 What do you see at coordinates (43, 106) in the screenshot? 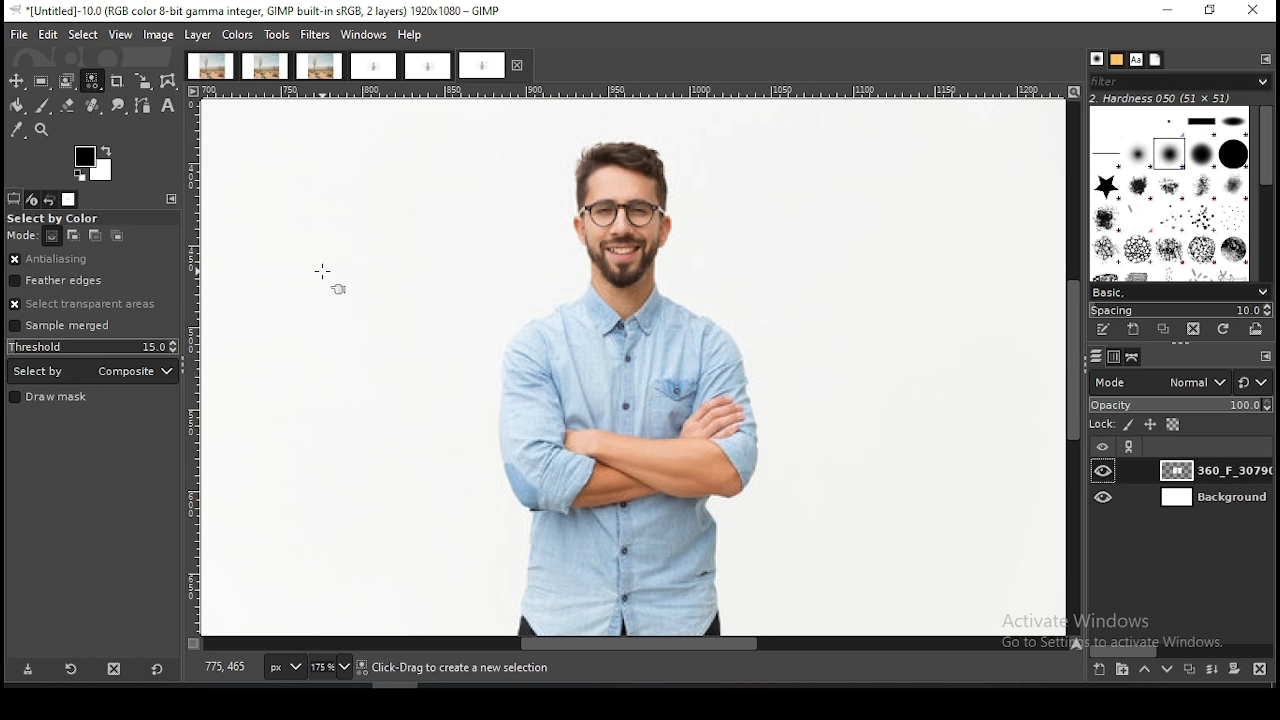
I see `paintbrush tool` at bounding box center [43, 106].